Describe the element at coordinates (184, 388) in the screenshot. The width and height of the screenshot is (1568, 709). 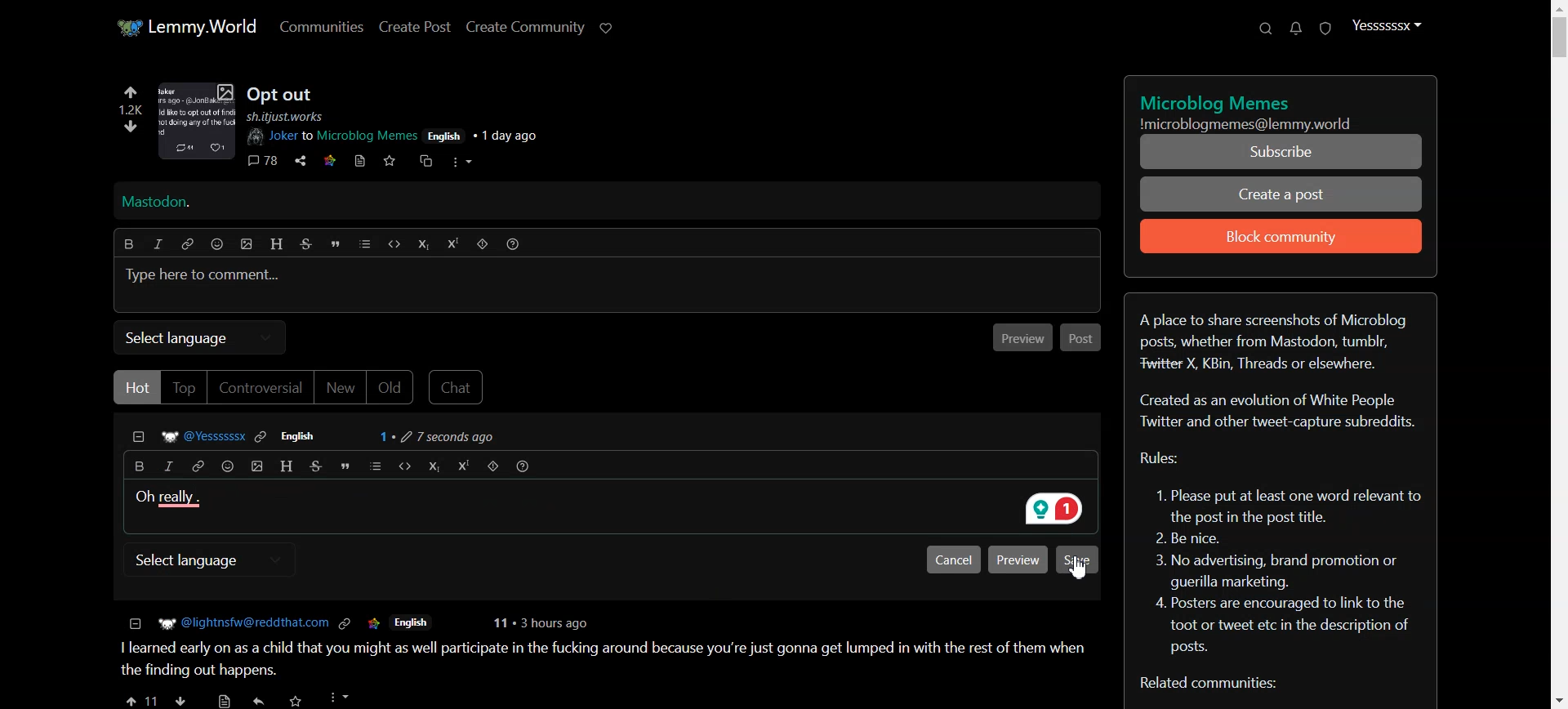
I see `Top` at that location.